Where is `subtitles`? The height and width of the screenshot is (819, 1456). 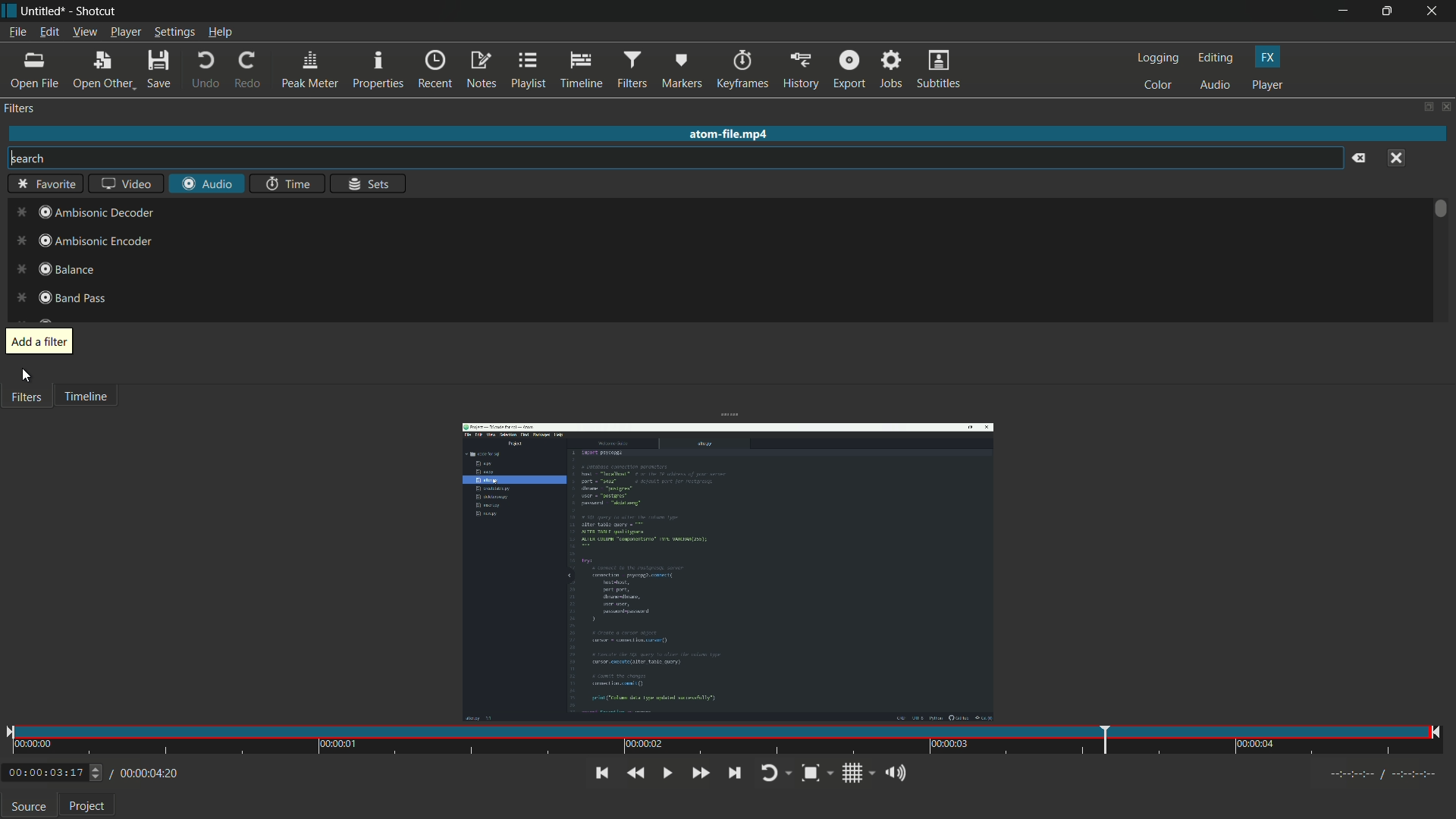
subtitles is located at coordinates (939, 68).